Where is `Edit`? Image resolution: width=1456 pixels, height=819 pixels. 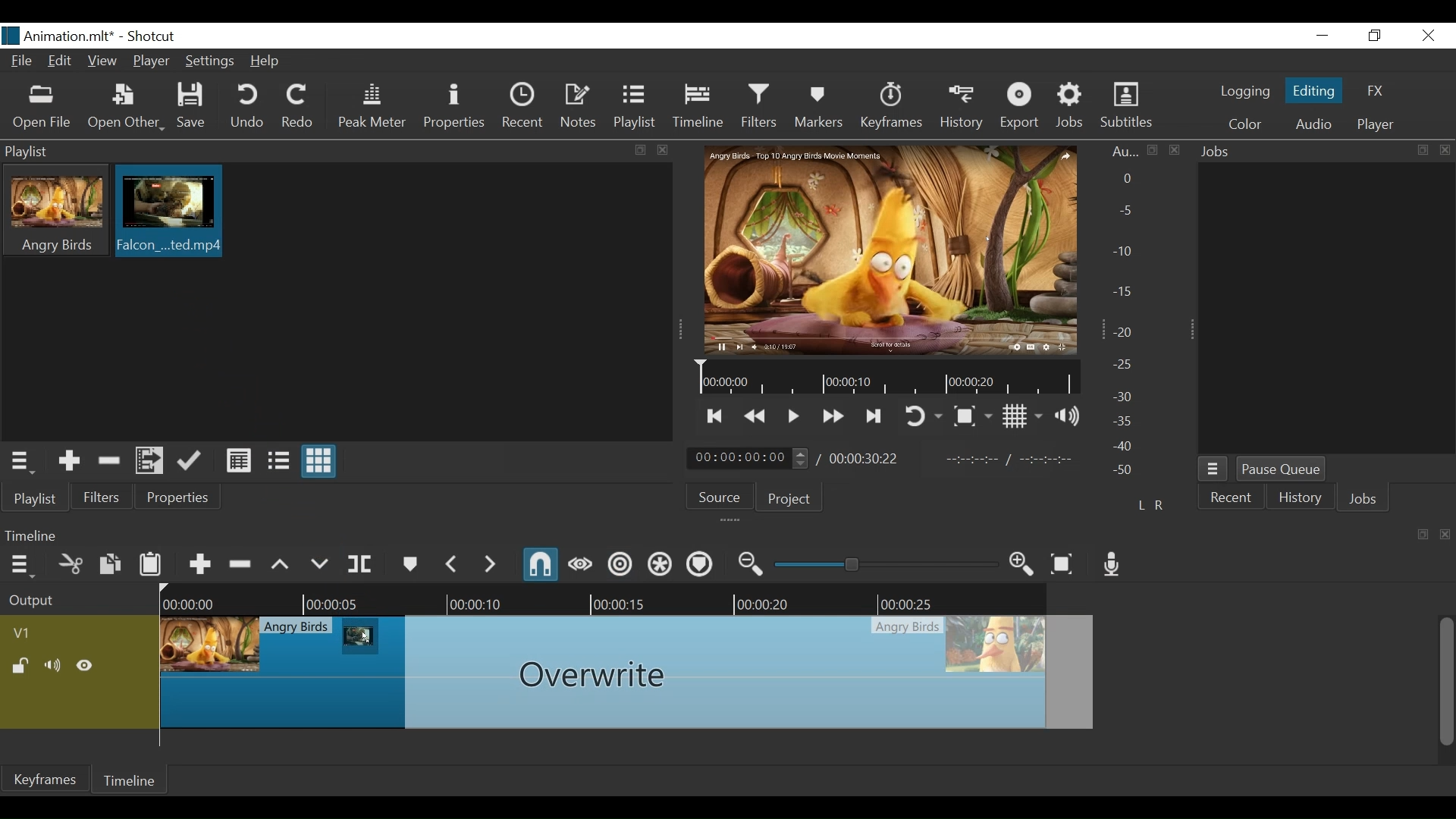 Edit is located at coordinates (61, 61).